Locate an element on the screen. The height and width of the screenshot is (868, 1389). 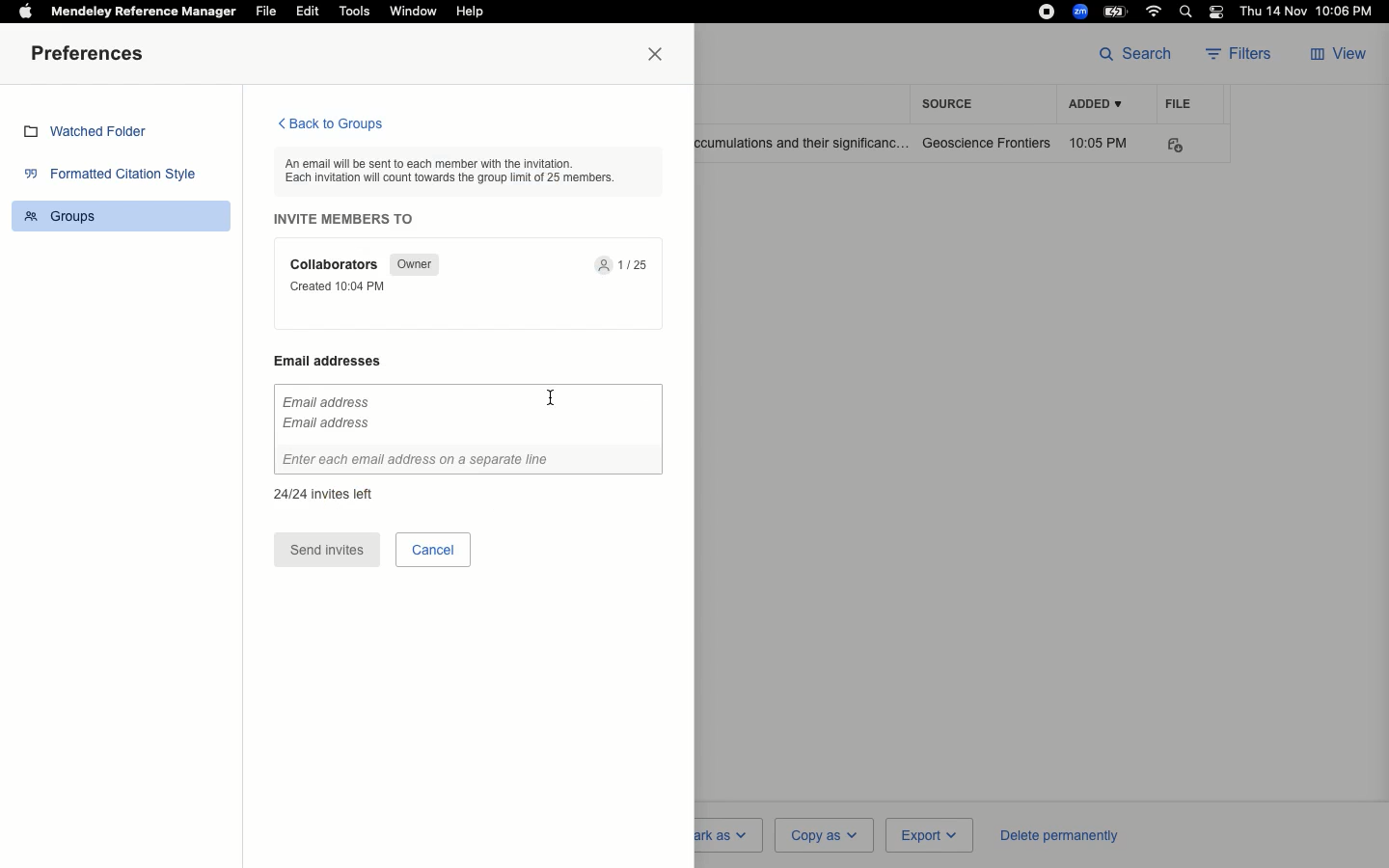
Cancel is located at coordinates (433, 549).